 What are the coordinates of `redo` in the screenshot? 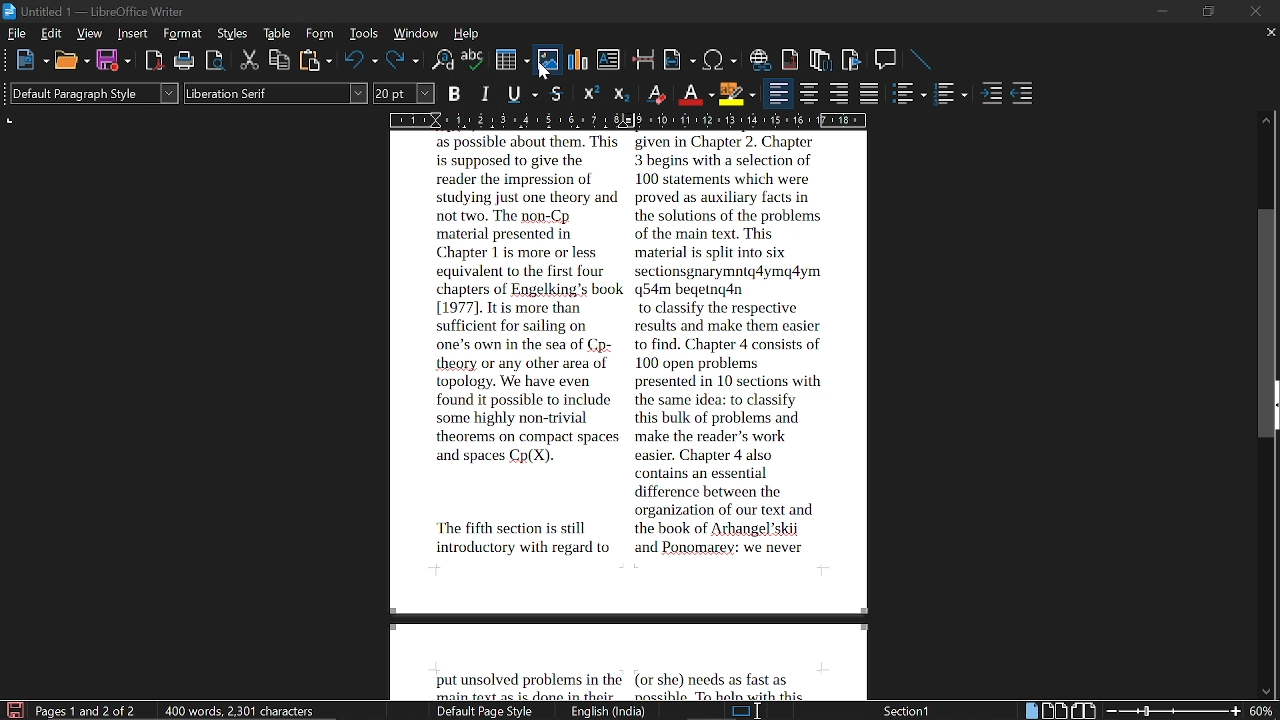 It's located at (402, 62).